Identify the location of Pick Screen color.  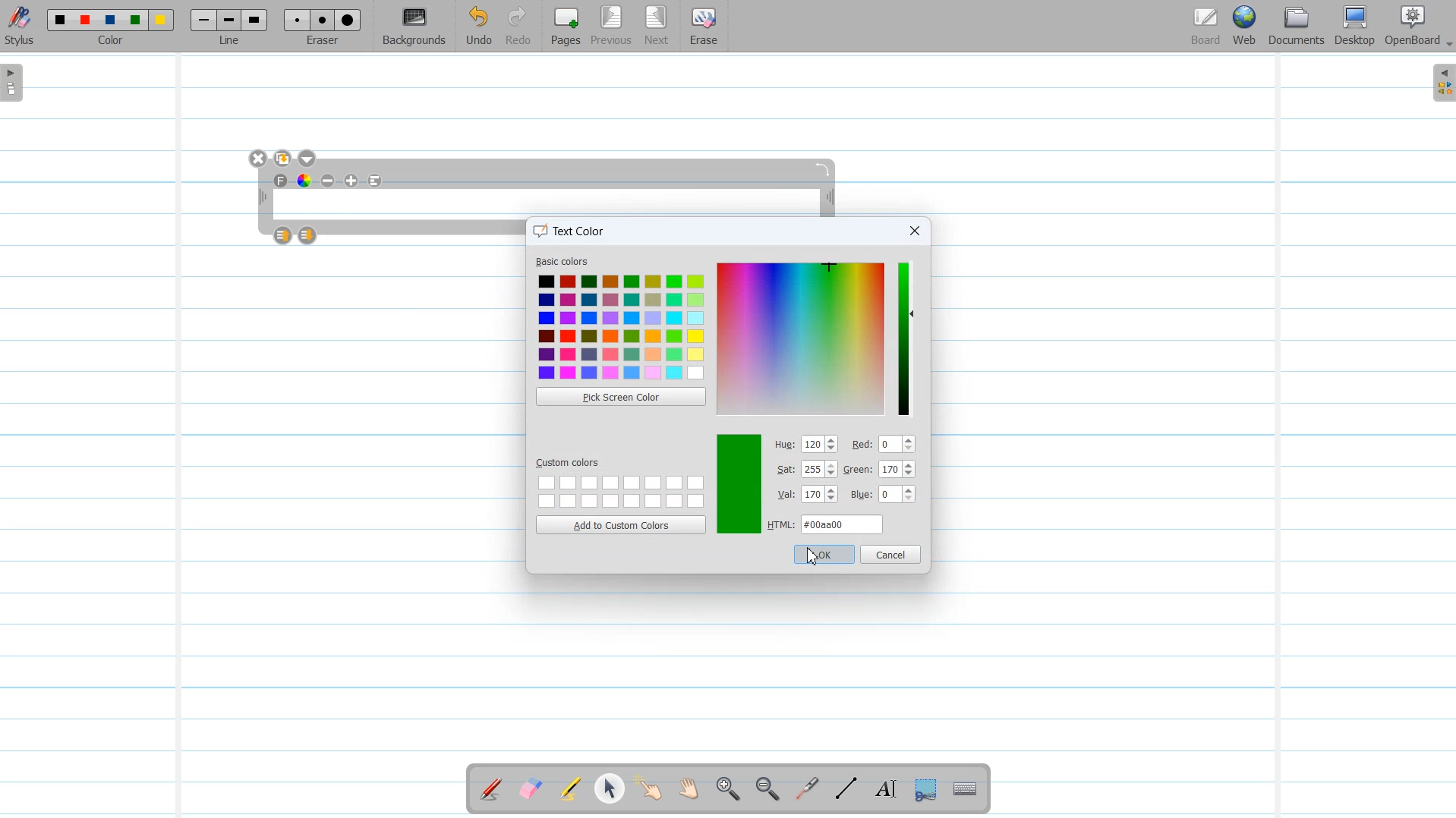
(620, 396).